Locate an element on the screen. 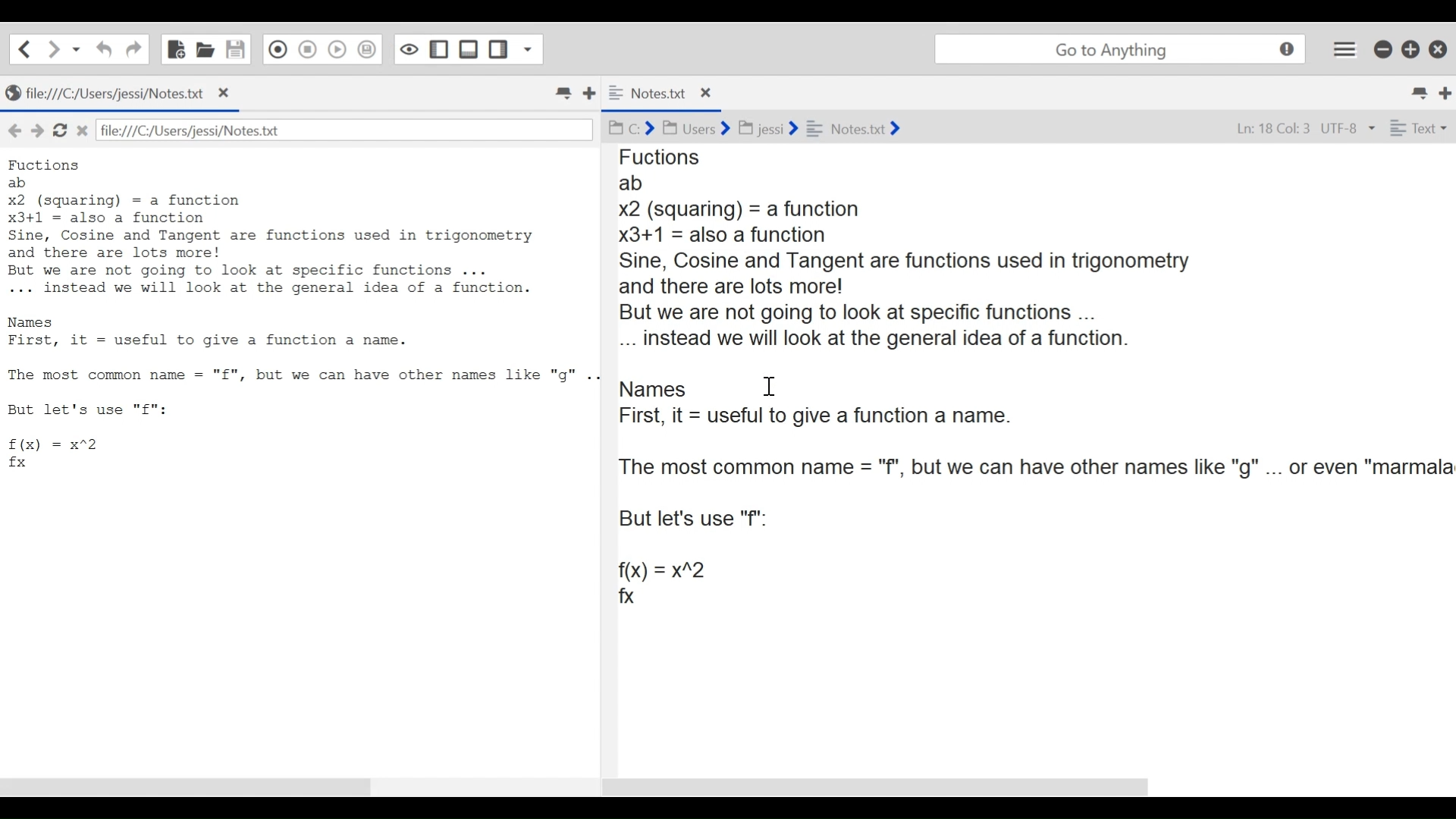  Recording in Macro is located at coordinates (276, 50).